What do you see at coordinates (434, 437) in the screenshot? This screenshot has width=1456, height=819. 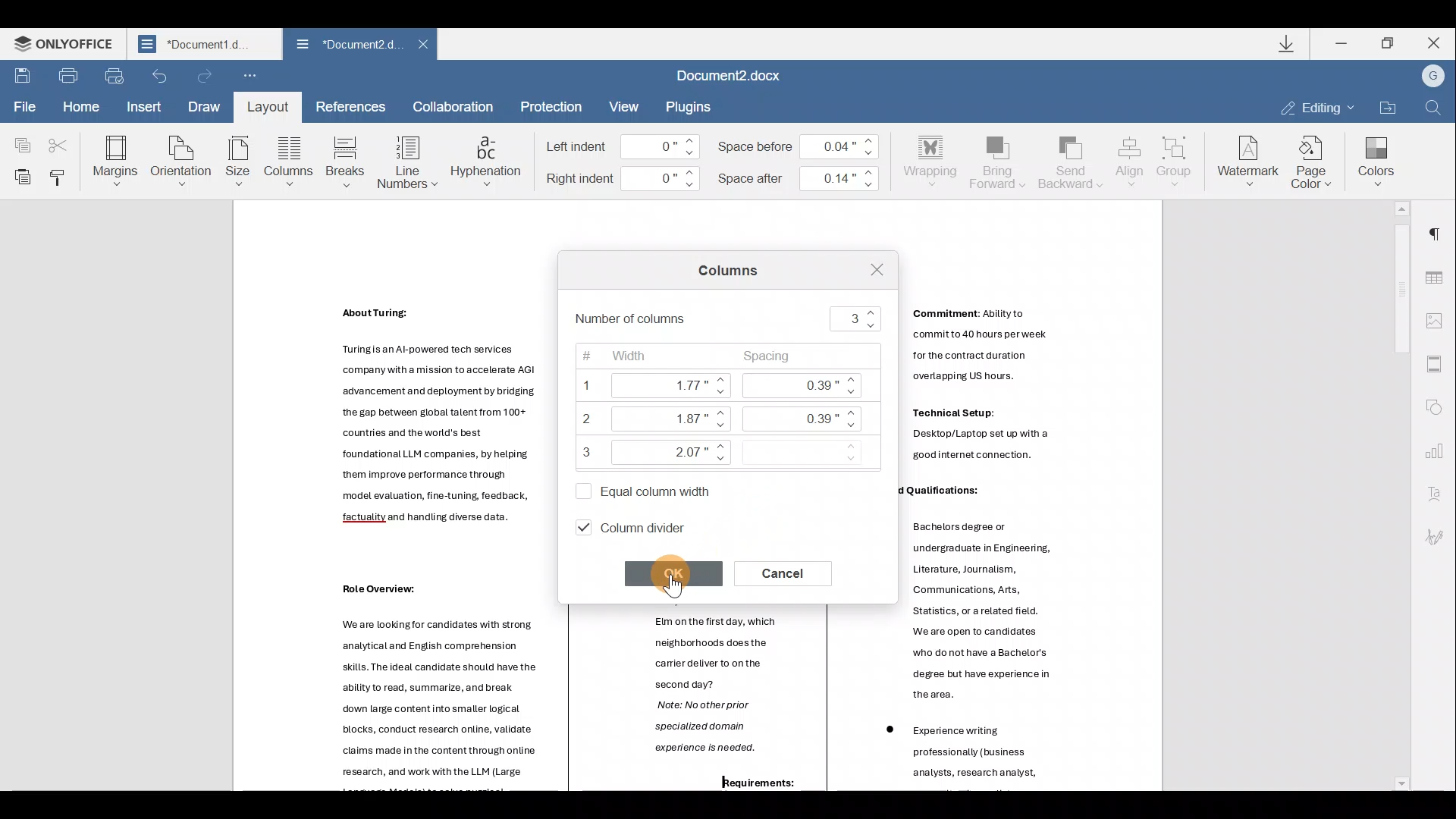 I see `` at bounding box center [434, 437].